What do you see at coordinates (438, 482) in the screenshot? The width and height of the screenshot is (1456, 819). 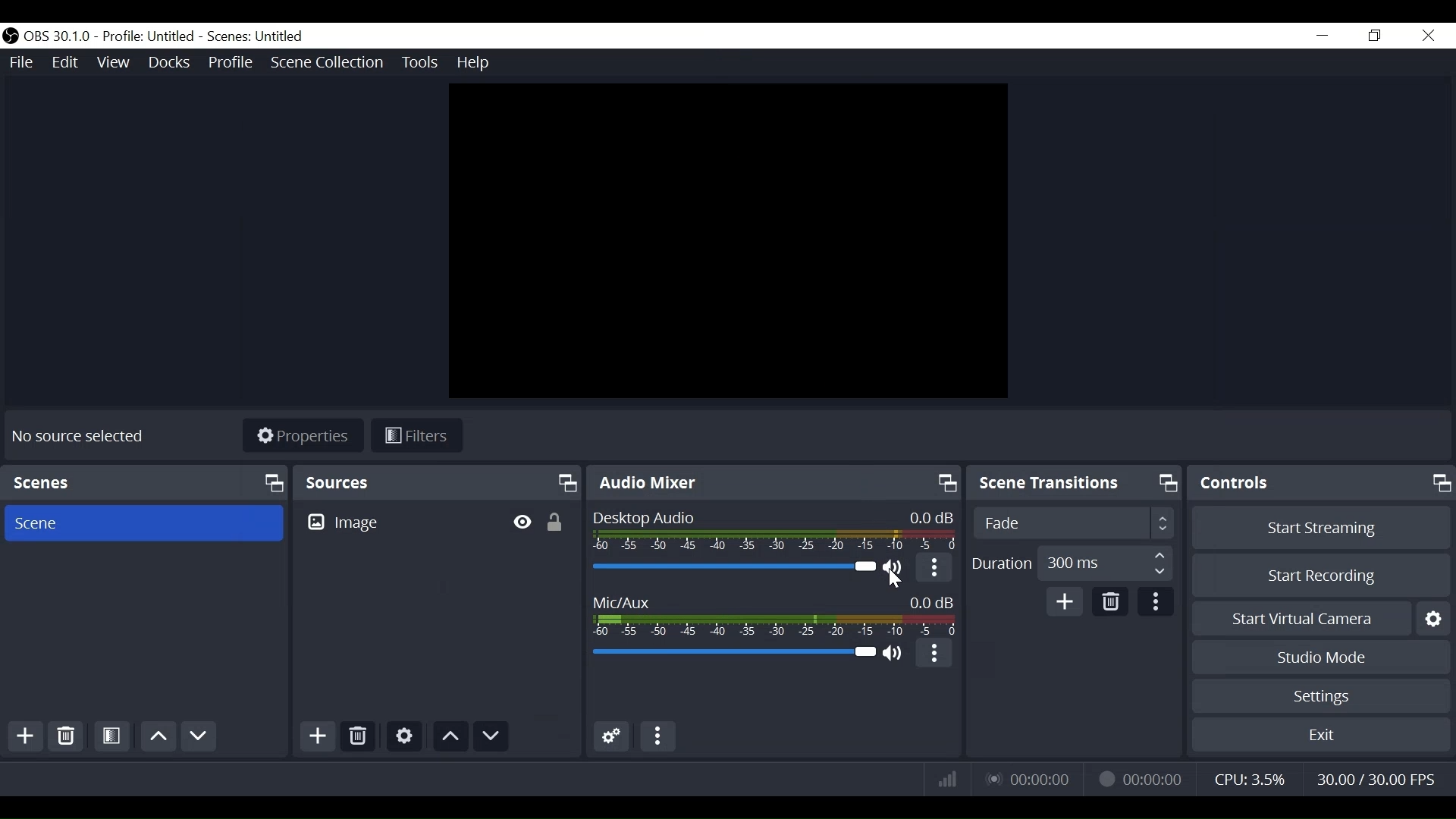 I see `Sources` at bounding box center [438, 482].